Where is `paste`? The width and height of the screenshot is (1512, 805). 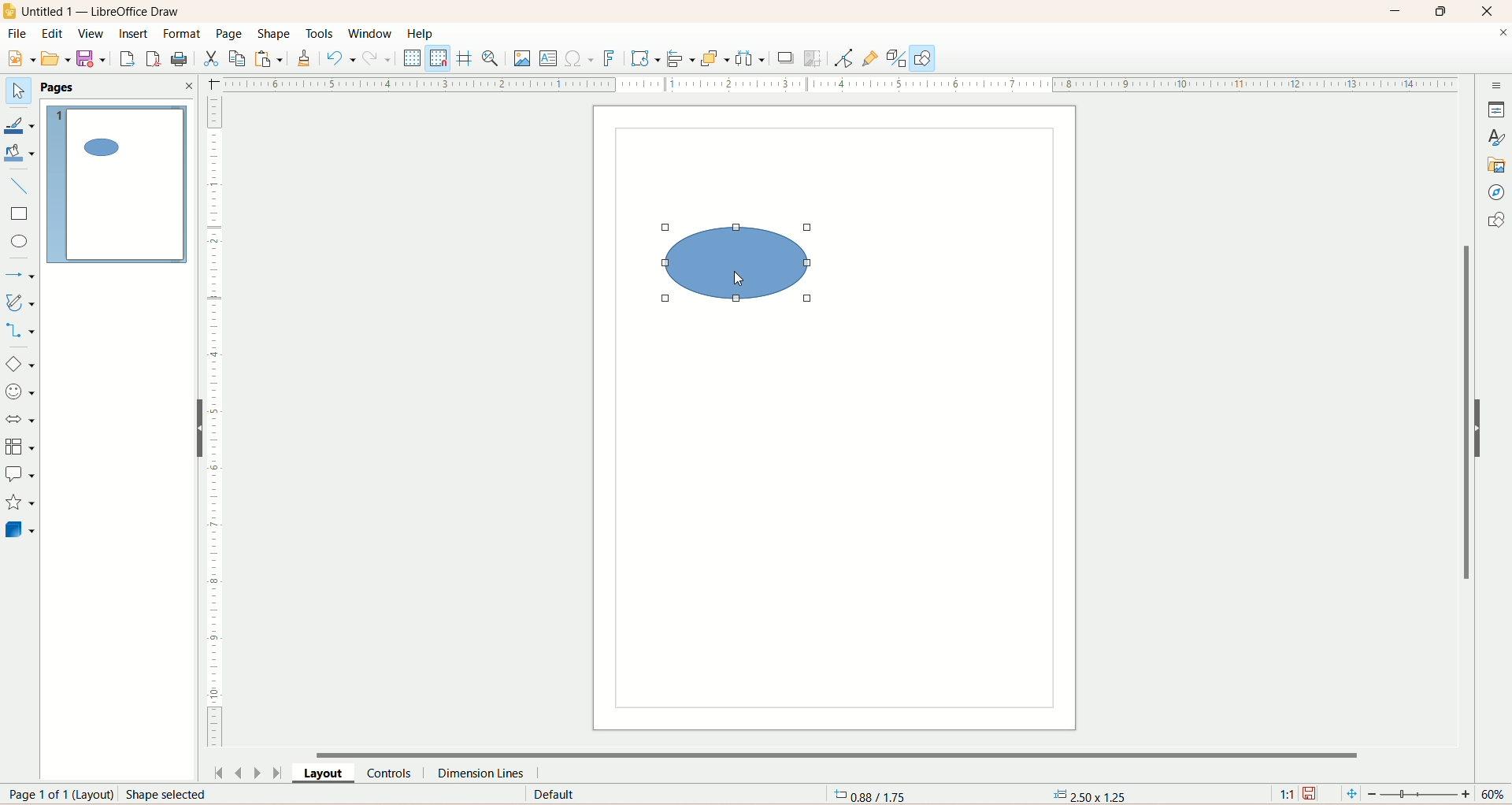 paste is located at coordinates (268, 58).